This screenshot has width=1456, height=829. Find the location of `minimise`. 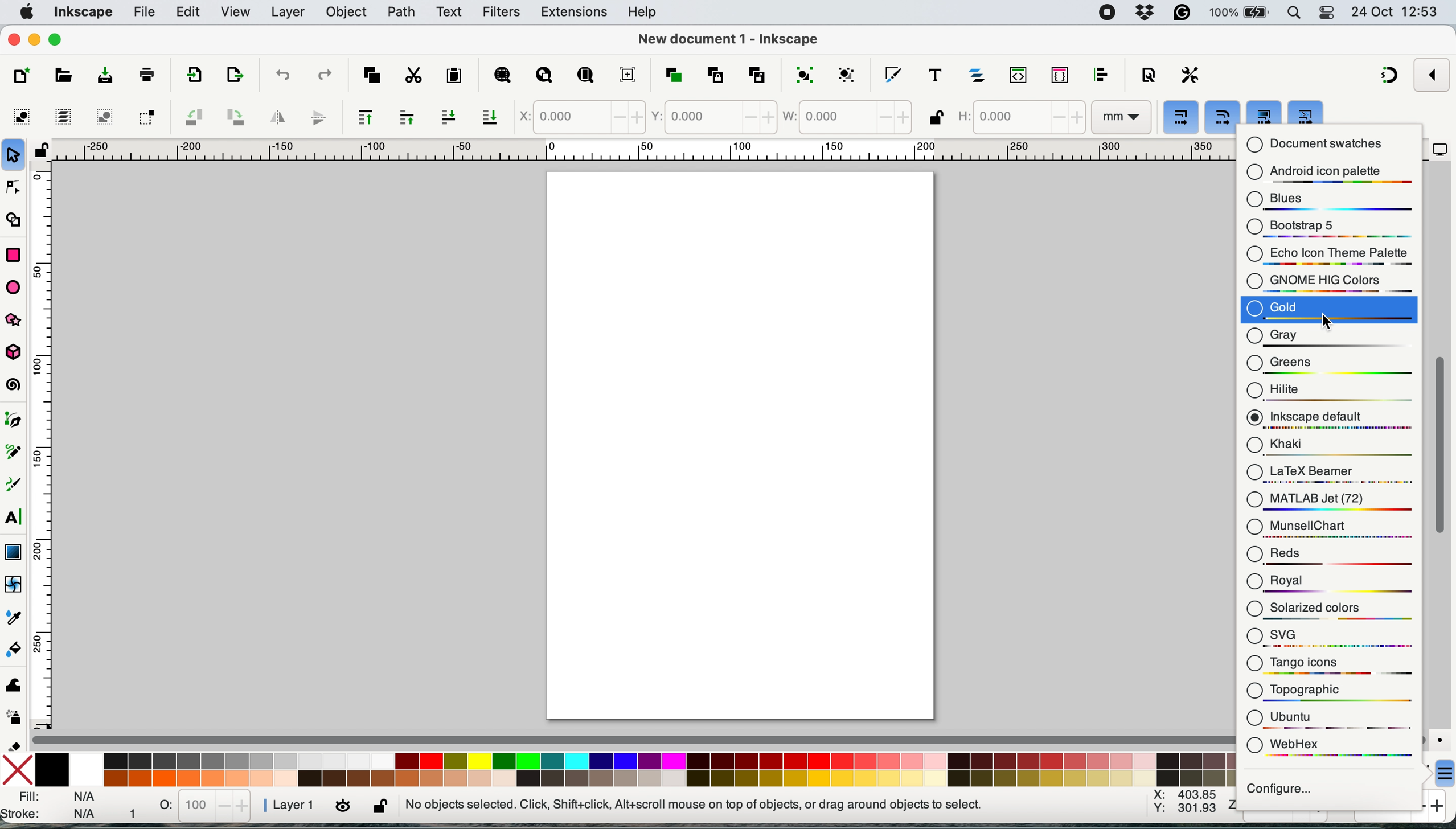

minimise is located at coordinates (35, 41).